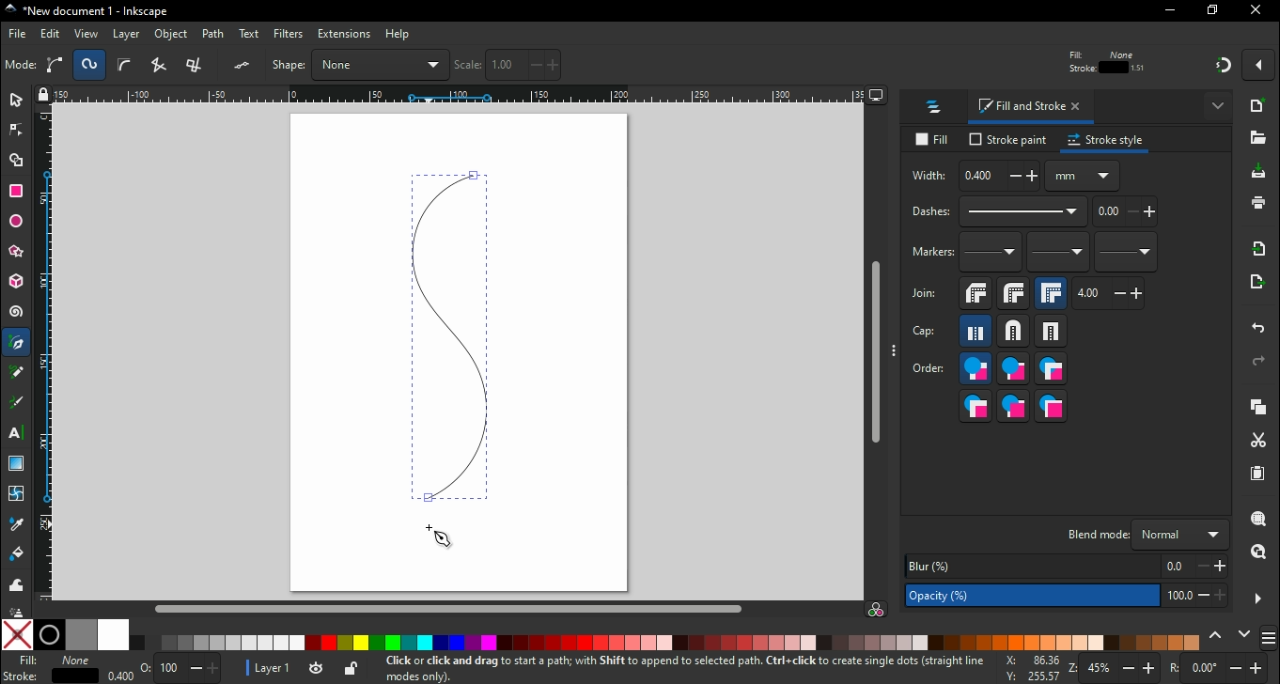  I want to click on text tool, so click(17, 433).